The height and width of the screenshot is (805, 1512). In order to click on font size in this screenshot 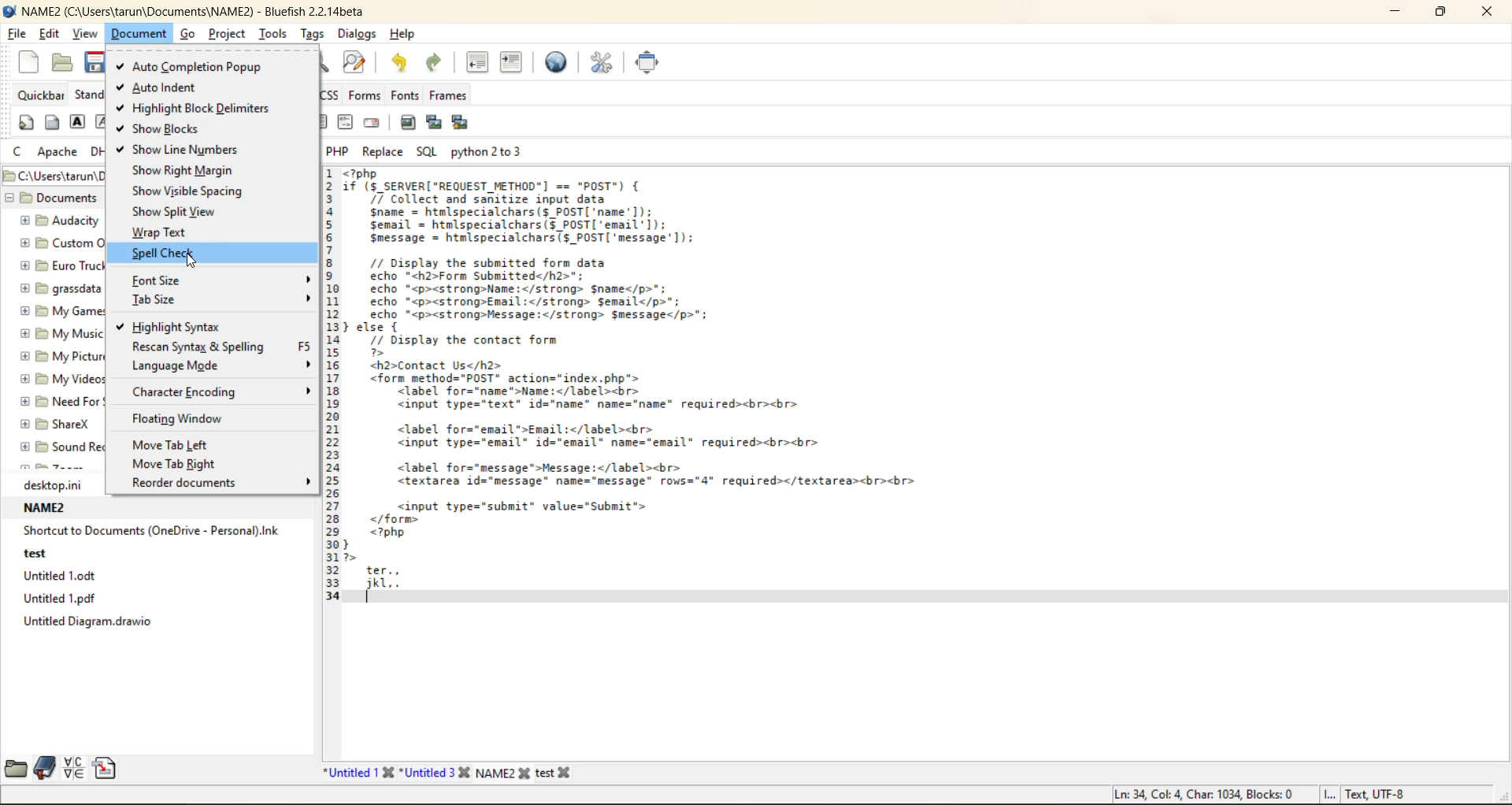, I will do `click(218, 280)`.